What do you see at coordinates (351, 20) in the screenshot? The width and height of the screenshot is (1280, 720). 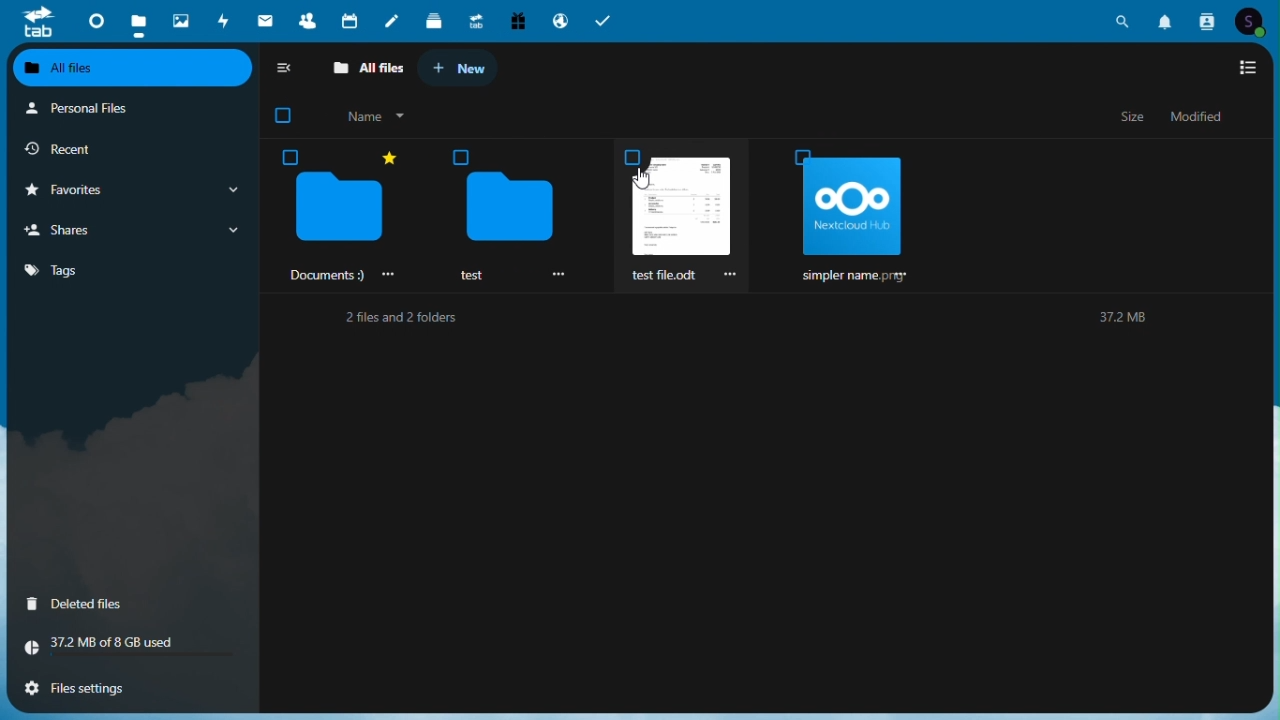 I see `Calendar` at bounding box center [351, 20].